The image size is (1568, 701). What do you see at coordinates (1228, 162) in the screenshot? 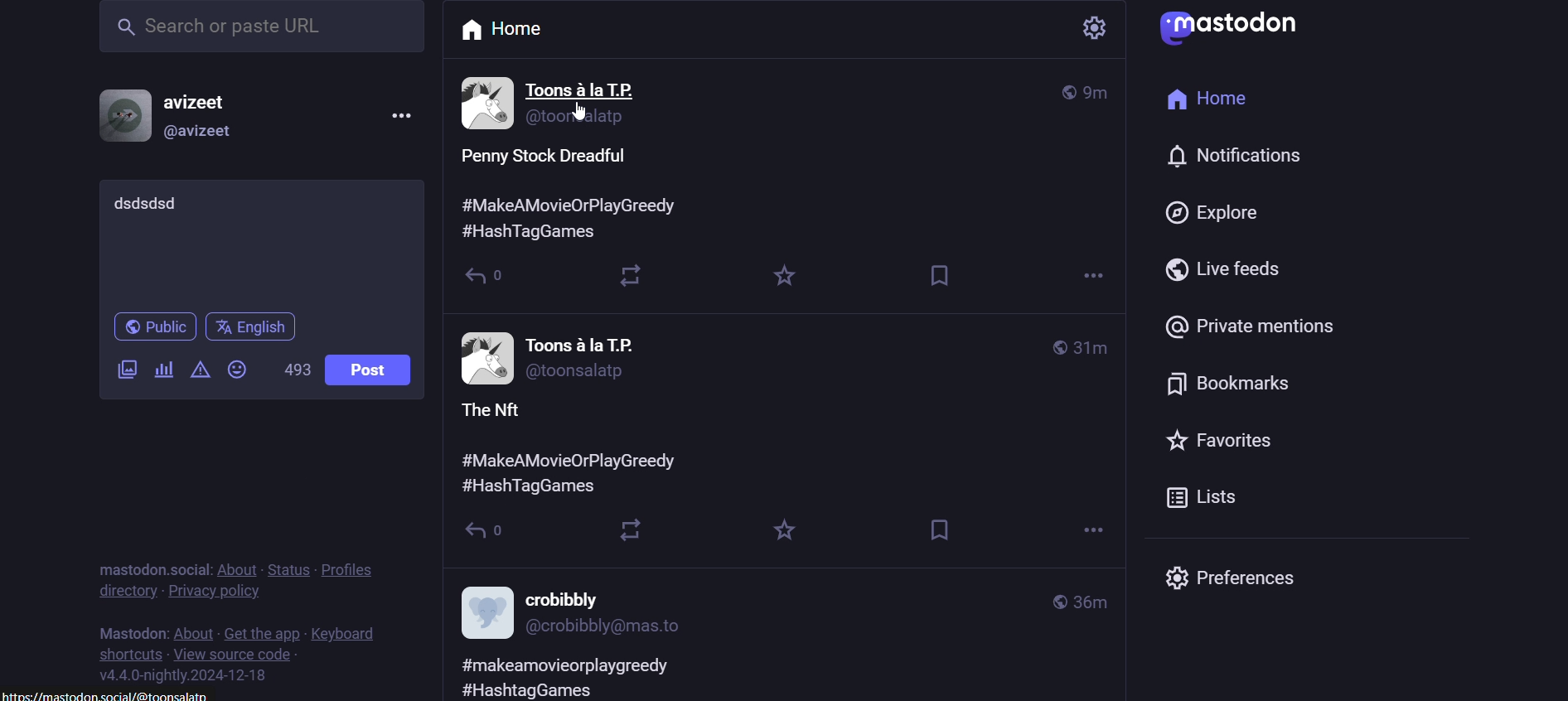
I see `notification` at bounding box center [1228, 162].